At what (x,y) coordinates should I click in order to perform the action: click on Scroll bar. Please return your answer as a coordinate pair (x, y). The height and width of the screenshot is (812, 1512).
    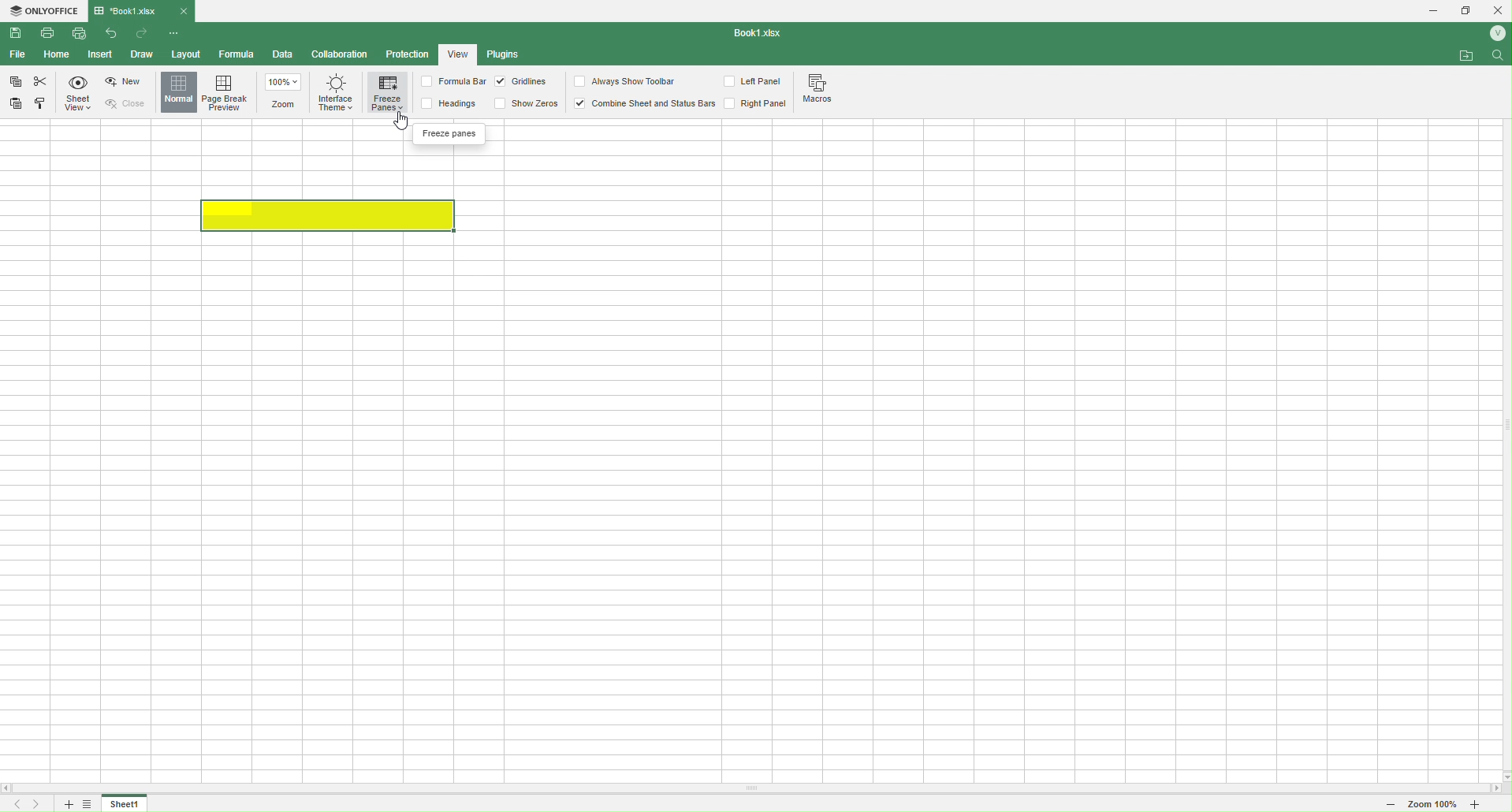
    Looking at the image, I should click on (1502, 425).